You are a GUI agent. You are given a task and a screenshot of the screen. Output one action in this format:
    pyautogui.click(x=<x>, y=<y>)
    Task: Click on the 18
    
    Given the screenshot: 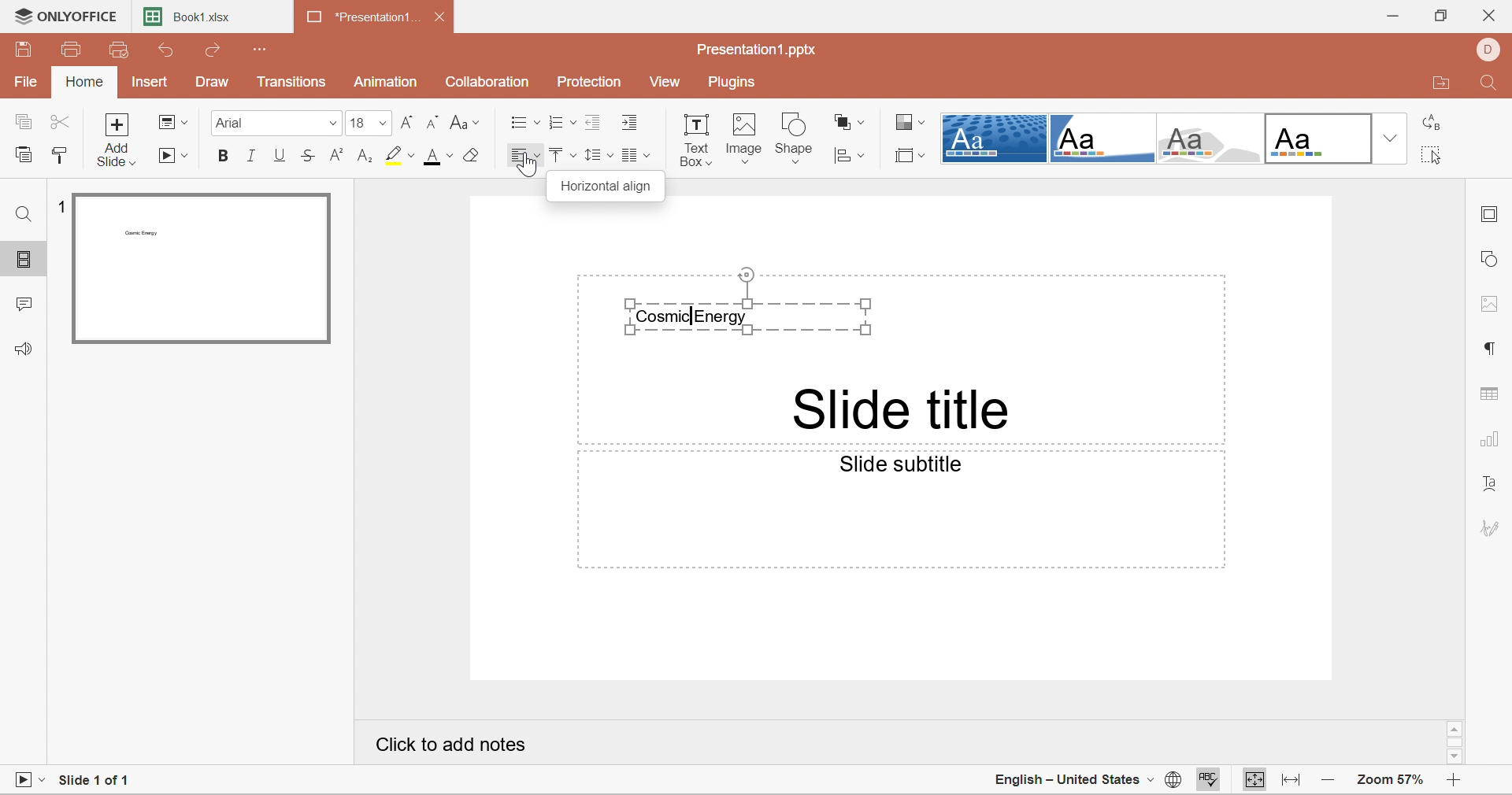 What is the action you would take?
    pyautogui.click(x=367, y=123)
    